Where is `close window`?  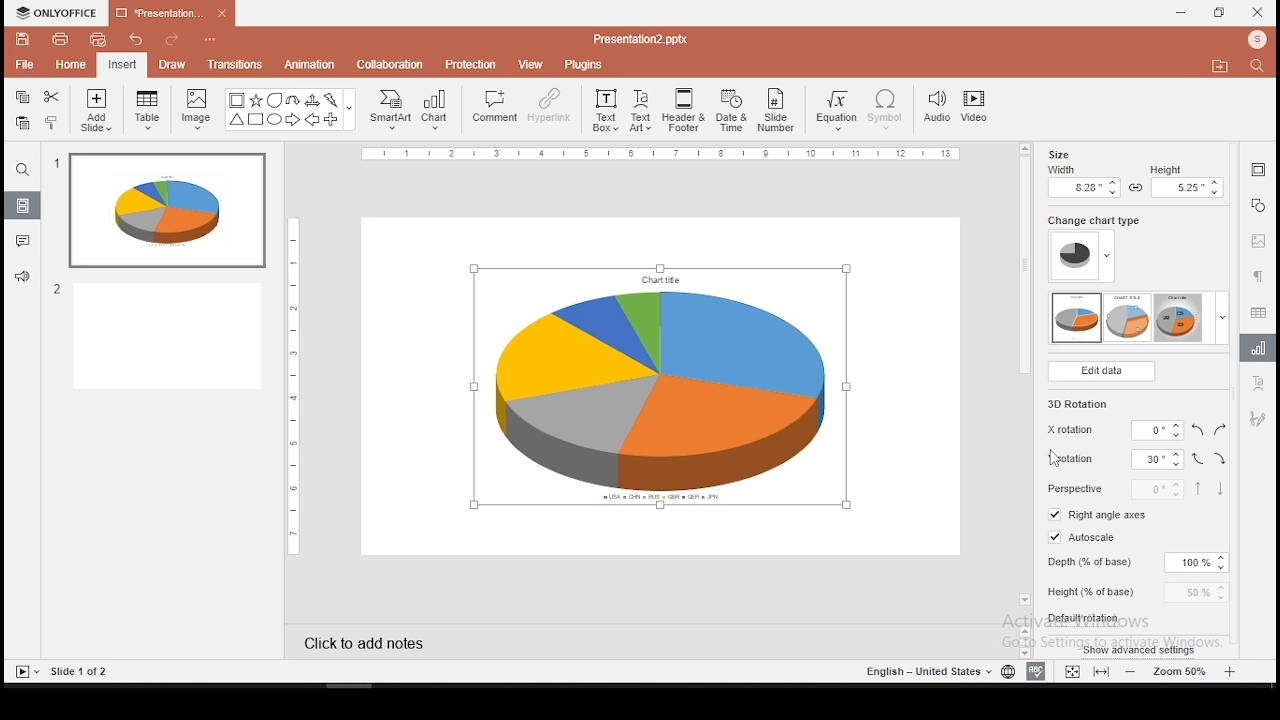 close window is located at coordinates (1258, 13).